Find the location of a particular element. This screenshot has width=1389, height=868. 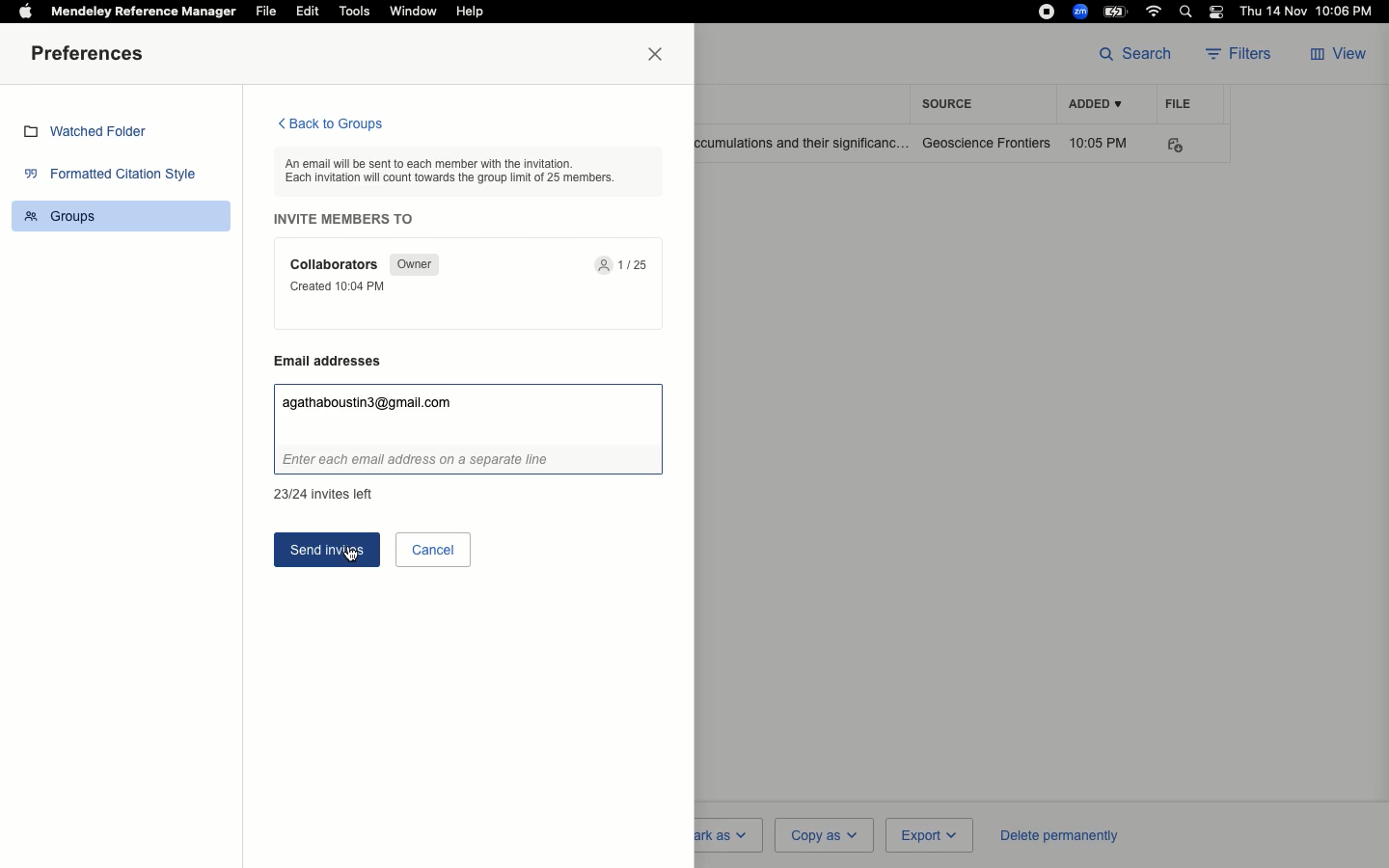

10:05 PM is located at coordinates (1102, 143).